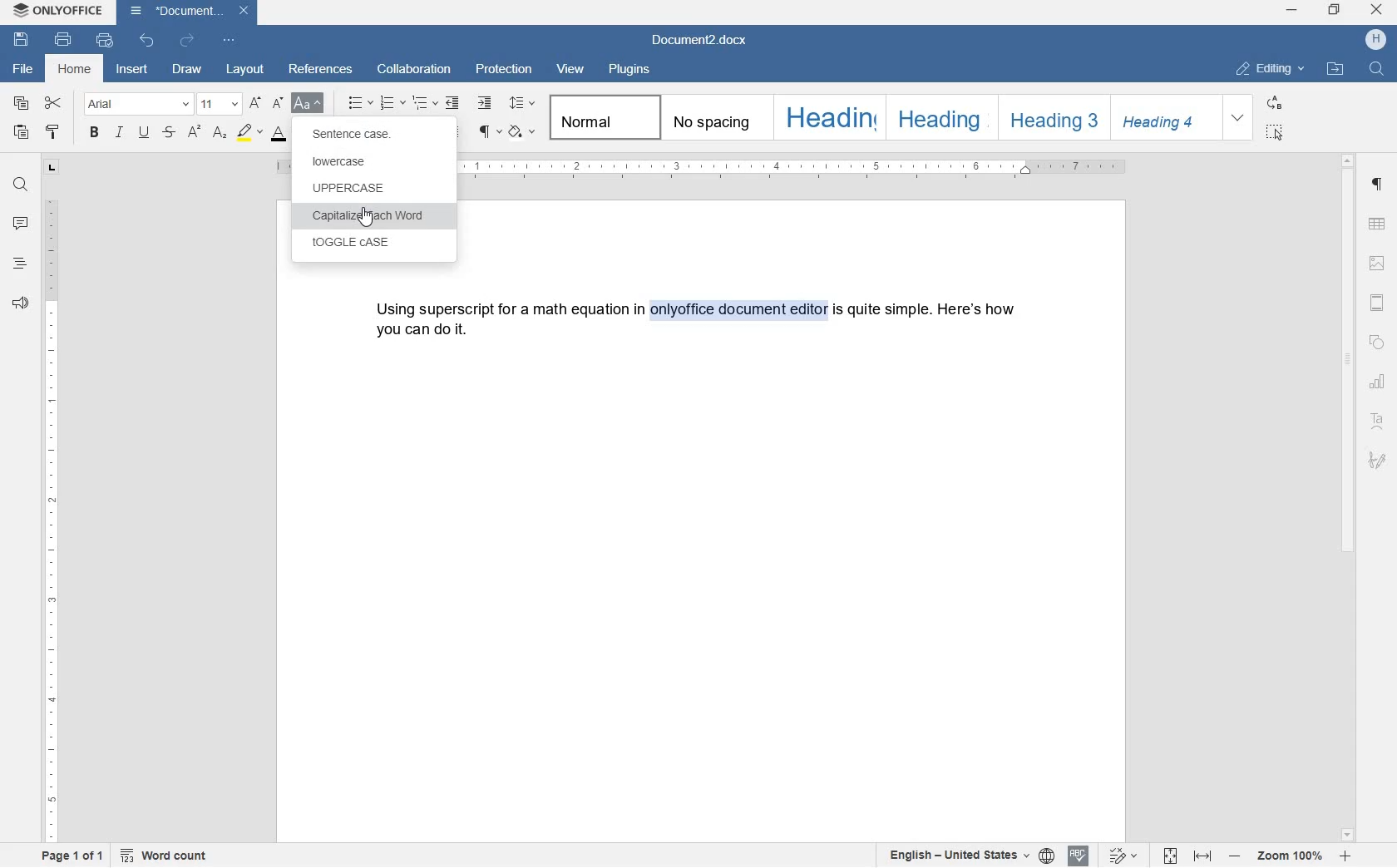 The width and height of the screenshot is (1397, 868). Describe the element at coordinates (138, 104) in the screenshot. I see `font name` at that location.